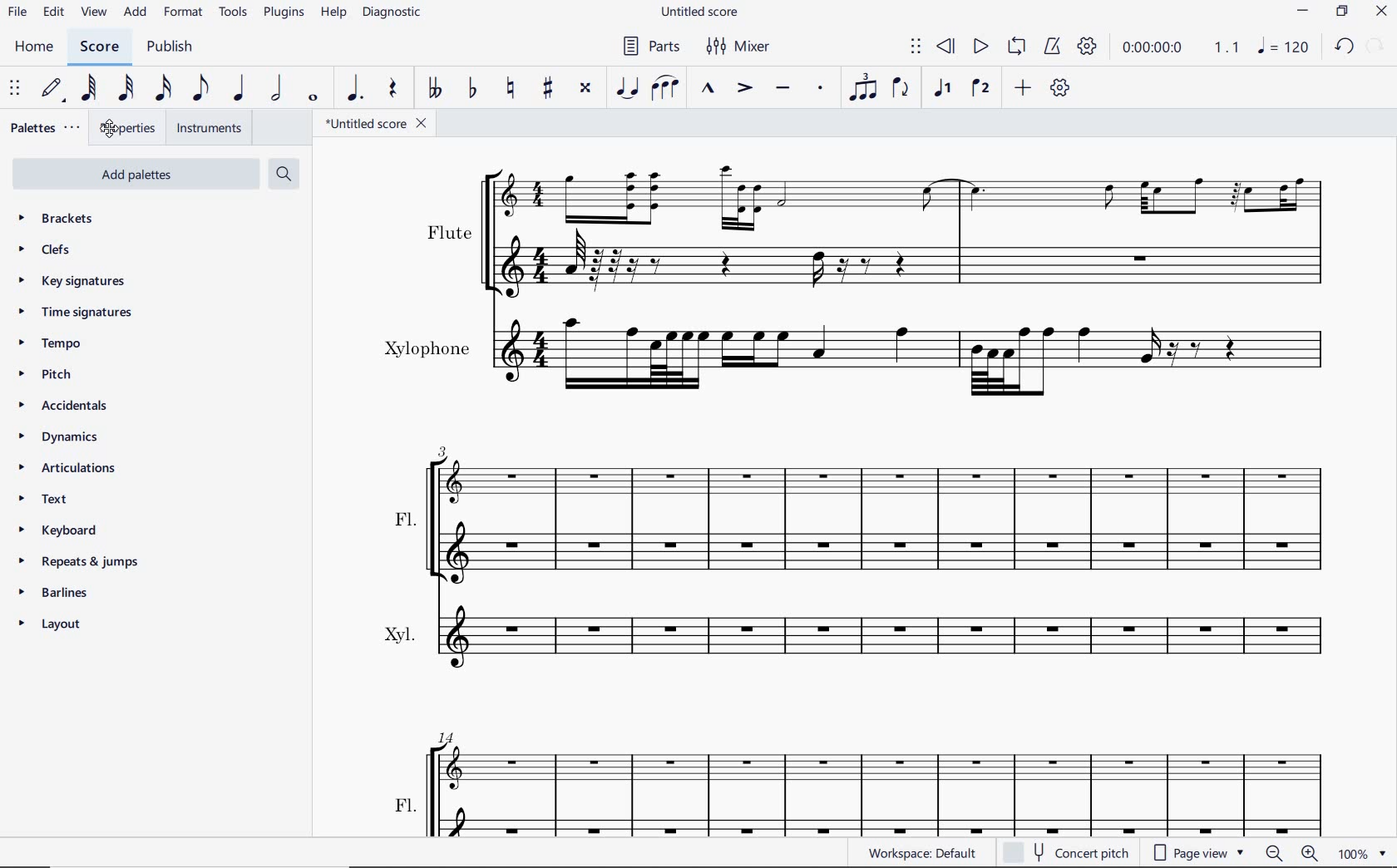  What do you see at coordinates (977, 48) in the screenshot?
I see `PLAY` at bounding box center [977, 48].